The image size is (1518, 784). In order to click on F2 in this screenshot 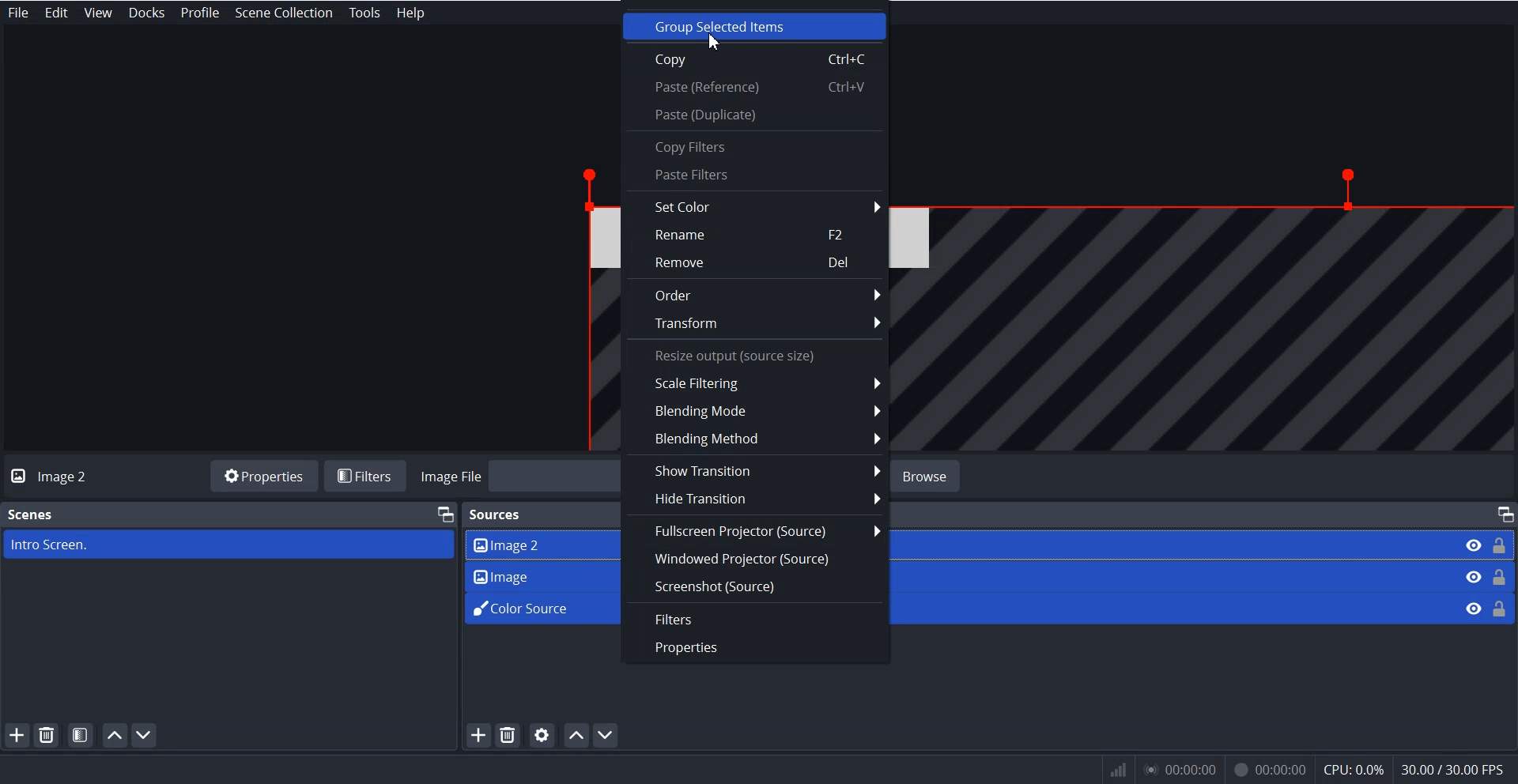, I will do `click(833, 236)`.